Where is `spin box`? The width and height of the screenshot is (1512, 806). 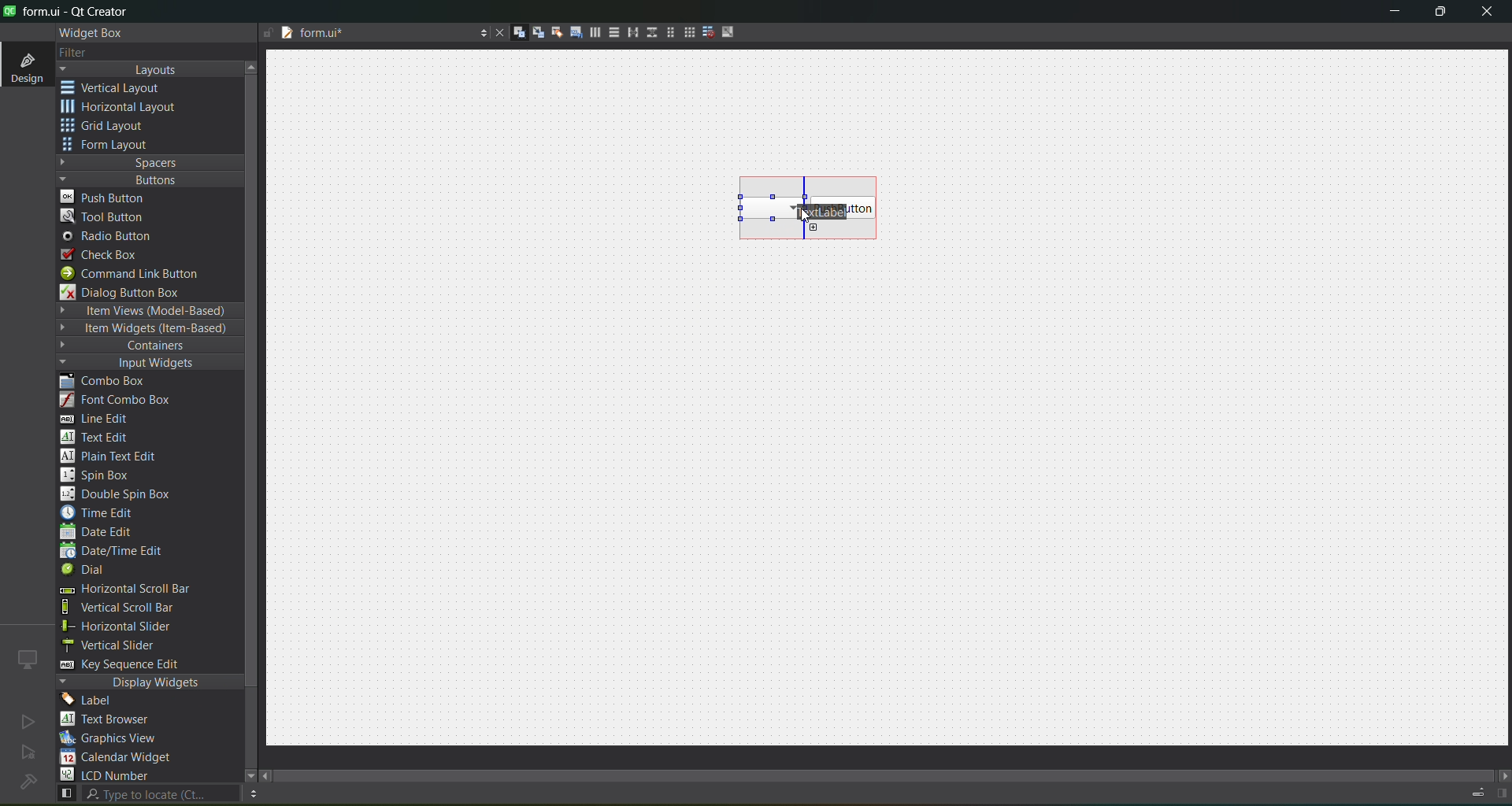
spin box is located at coordinates (103, 475).